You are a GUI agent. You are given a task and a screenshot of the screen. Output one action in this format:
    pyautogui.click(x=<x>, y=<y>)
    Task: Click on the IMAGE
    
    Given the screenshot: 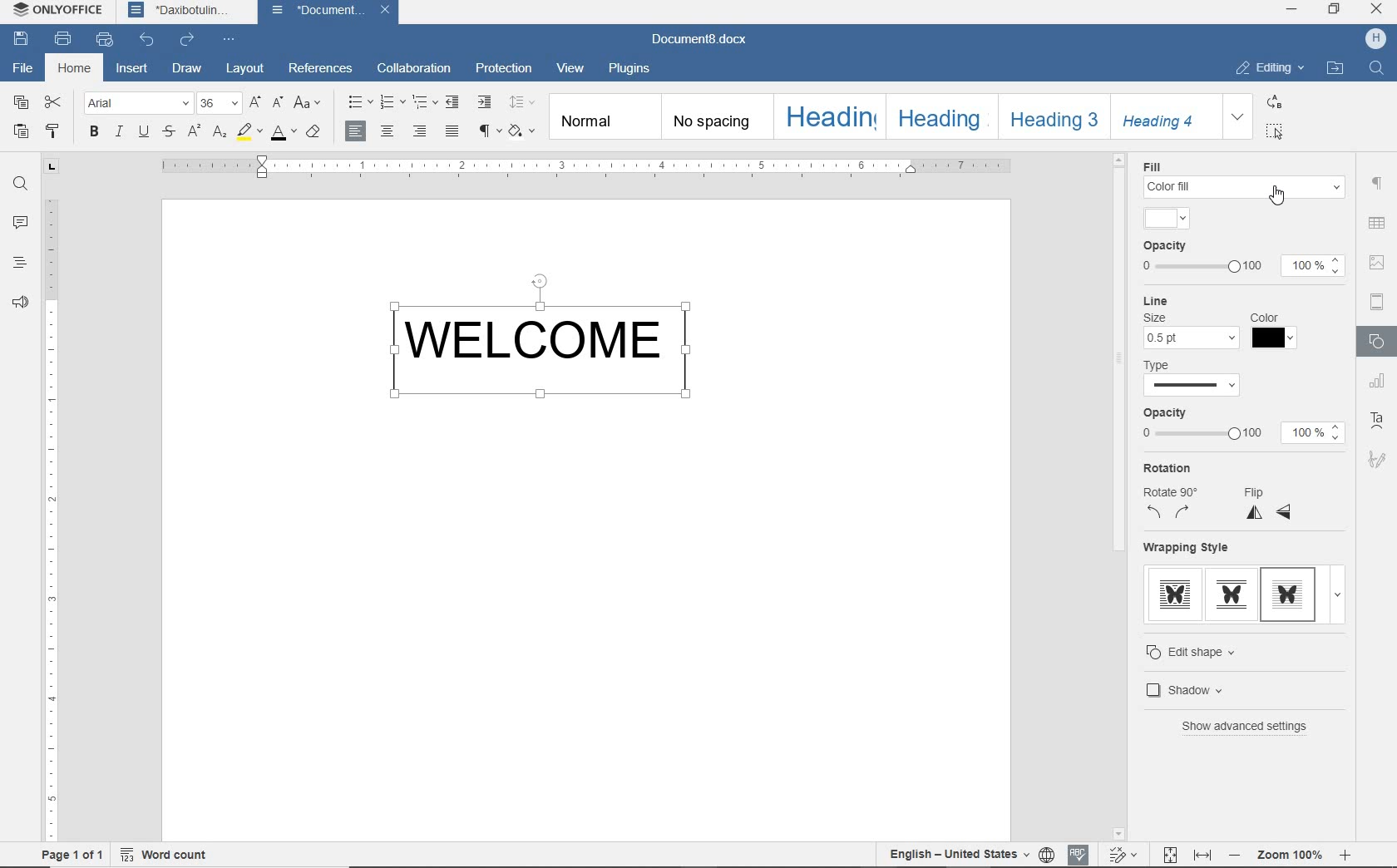 What is the action you would take?
    pyautogui.click(x=1378, y=262)
    